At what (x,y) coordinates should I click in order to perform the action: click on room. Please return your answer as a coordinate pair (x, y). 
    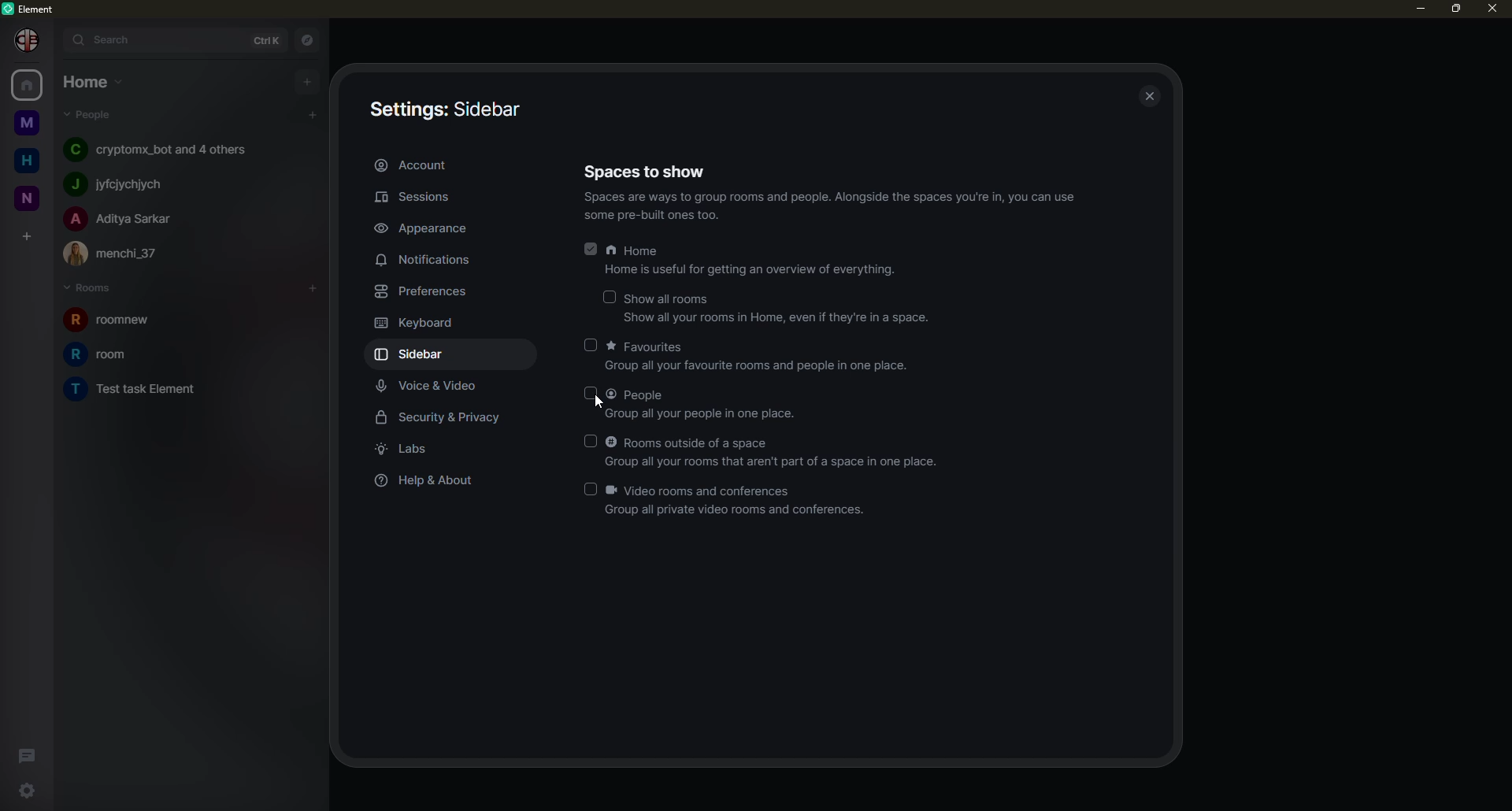
    Looking at the image, I should click on (147, 390).